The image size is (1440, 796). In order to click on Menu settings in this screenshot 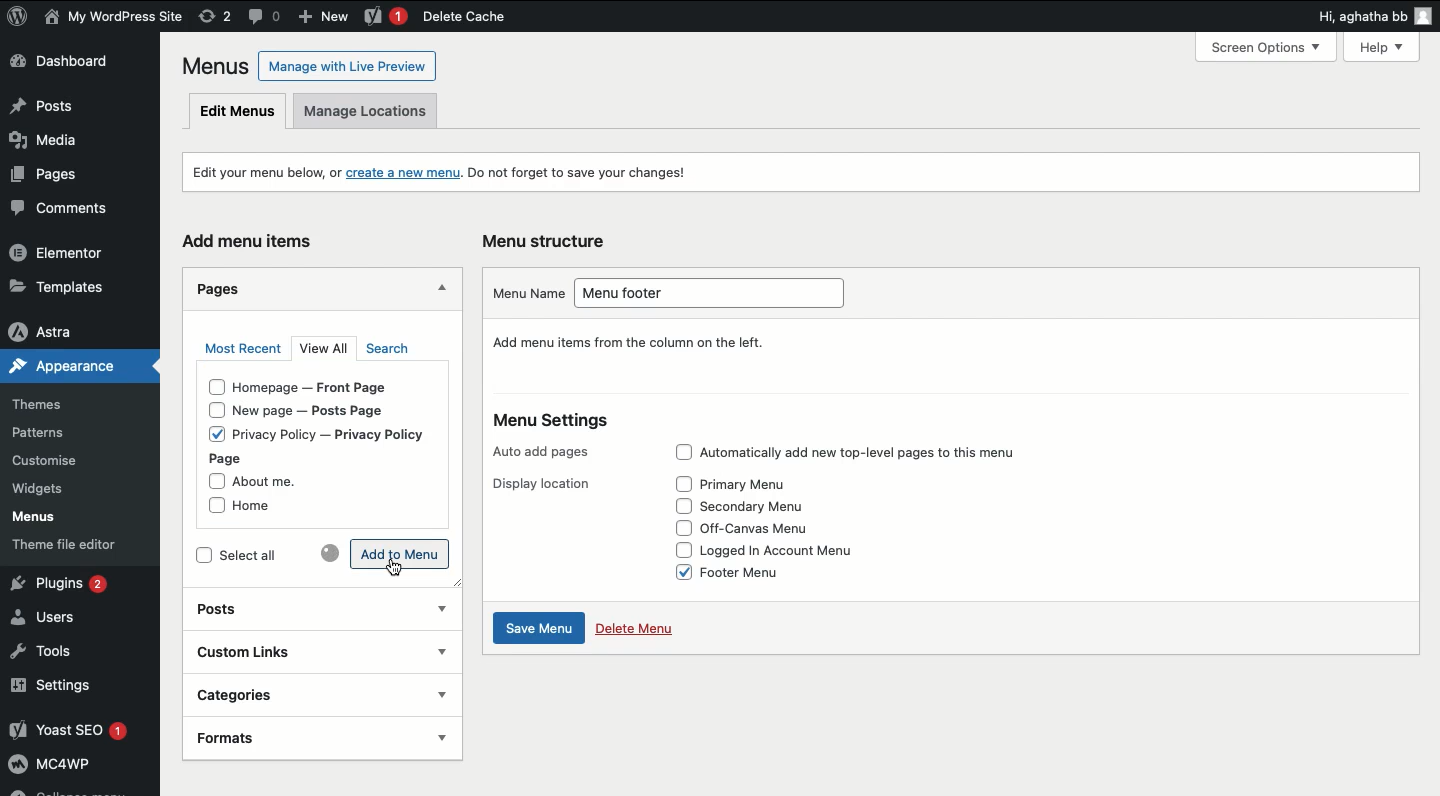, I will do `click(553, 423)`.